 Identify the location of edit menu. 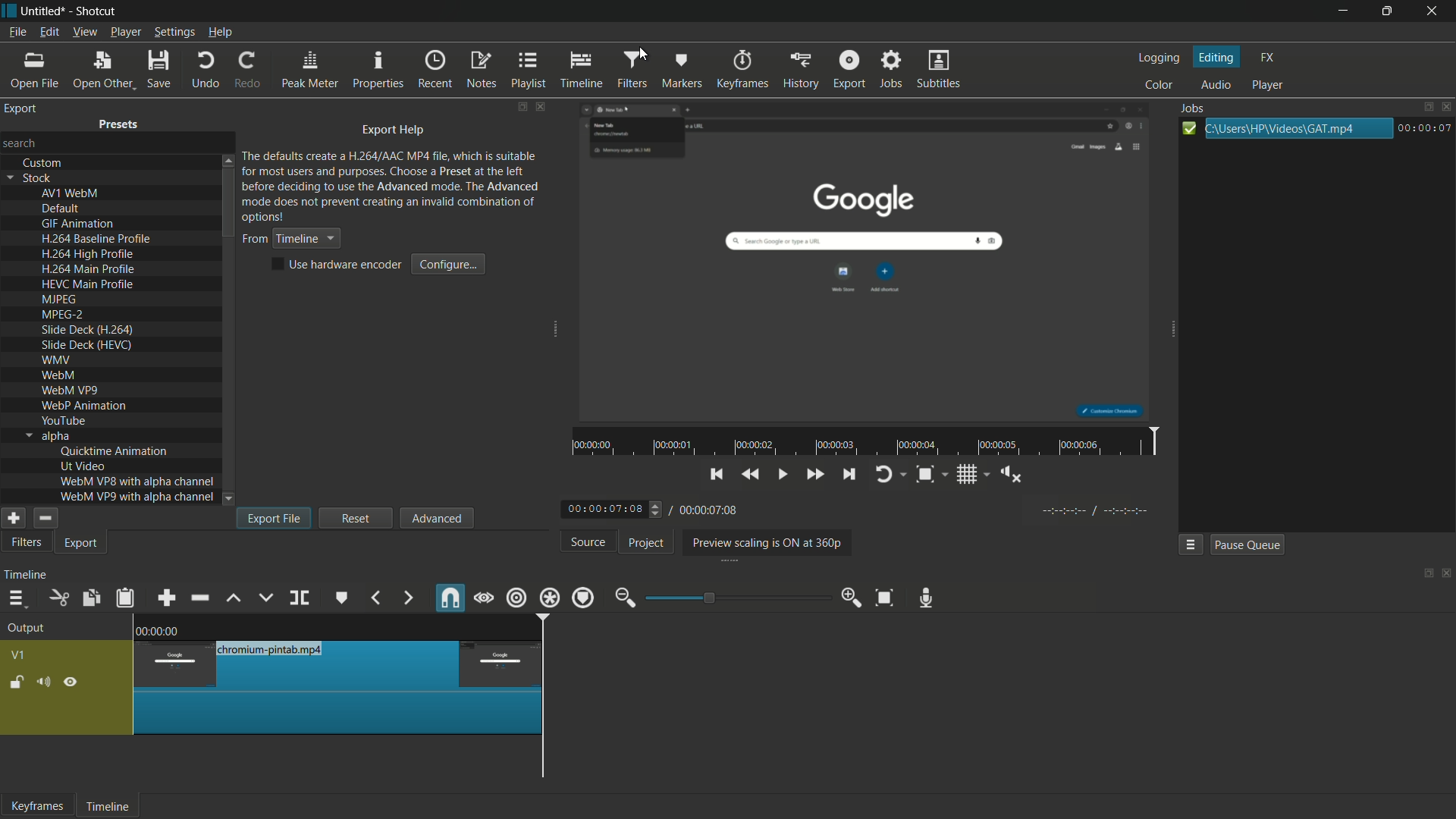
(48, 32).